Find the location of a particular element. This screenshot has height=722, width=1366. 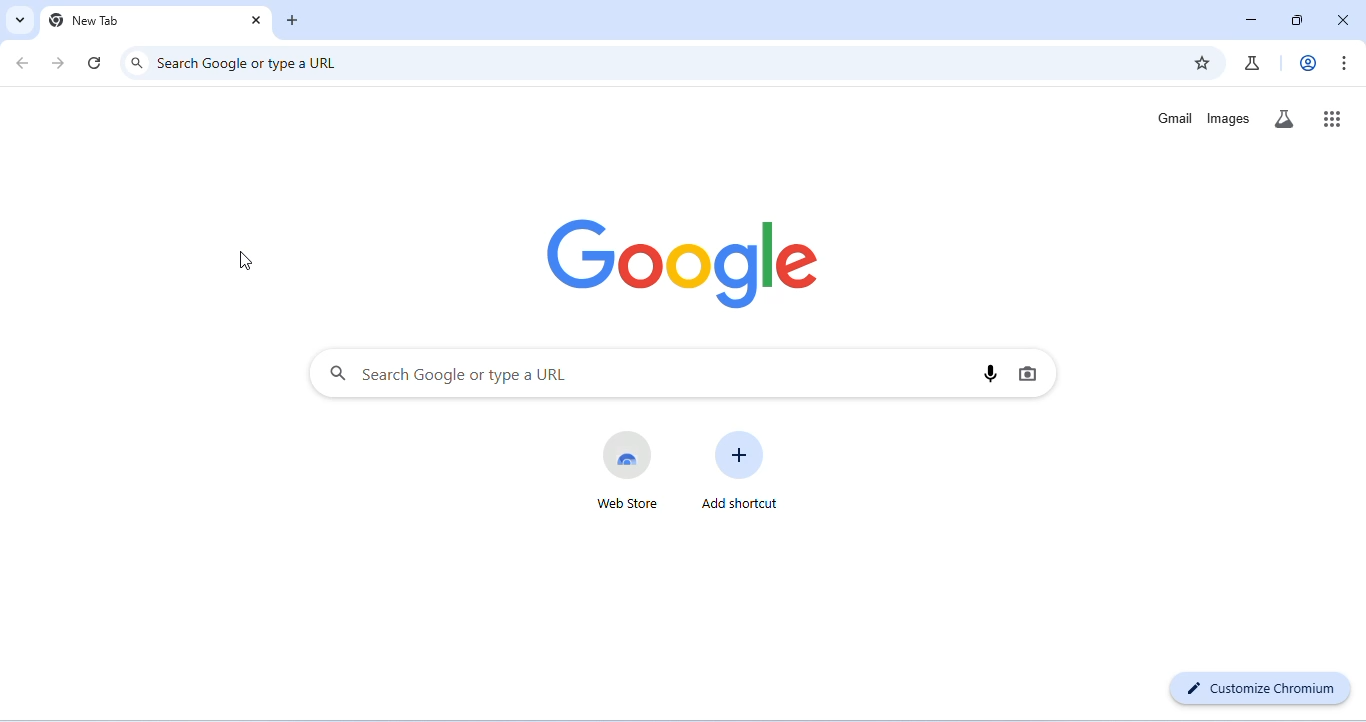

cursor is located at coordinates (247, 258).